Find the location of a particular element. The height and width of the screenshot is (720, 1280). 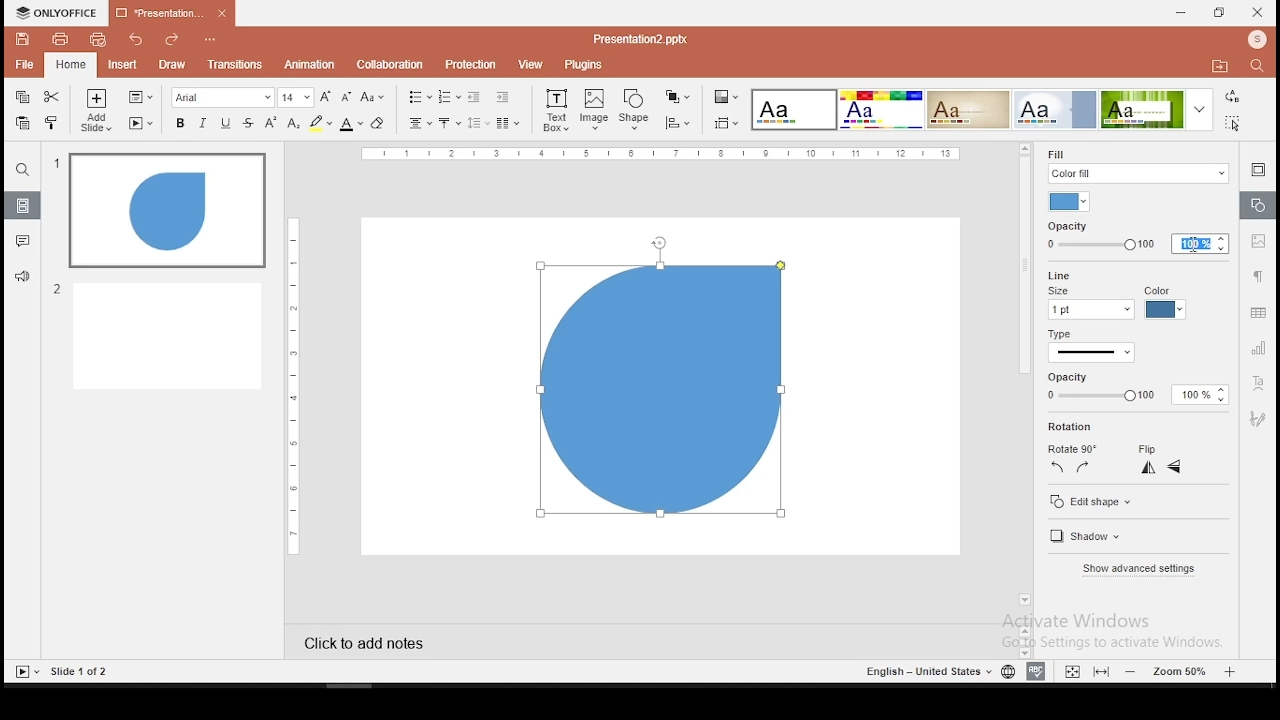

superscript is located at coordinates (272, 122).